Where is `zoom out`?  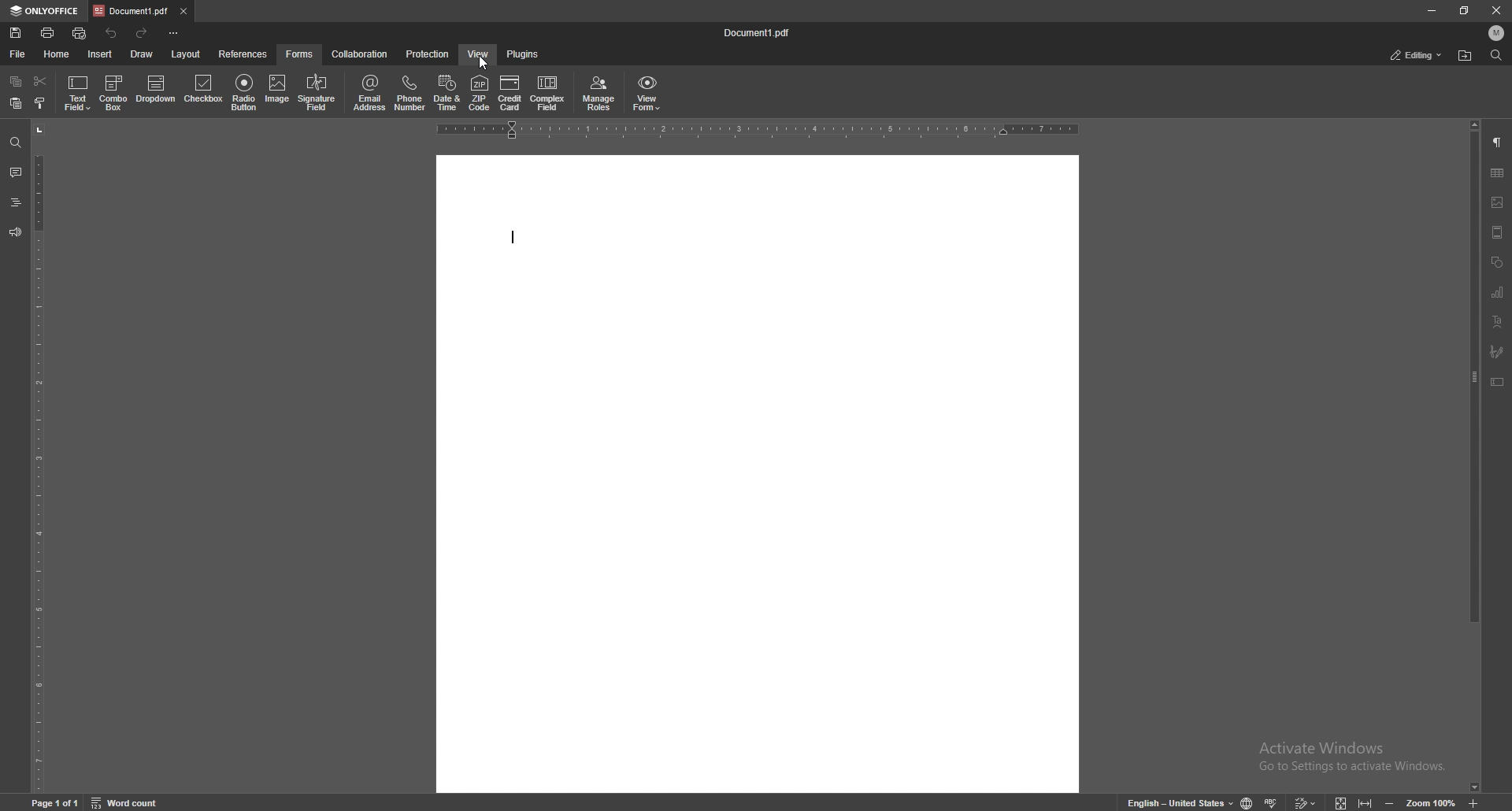
zoom out is located at coordinates (1392, 802).